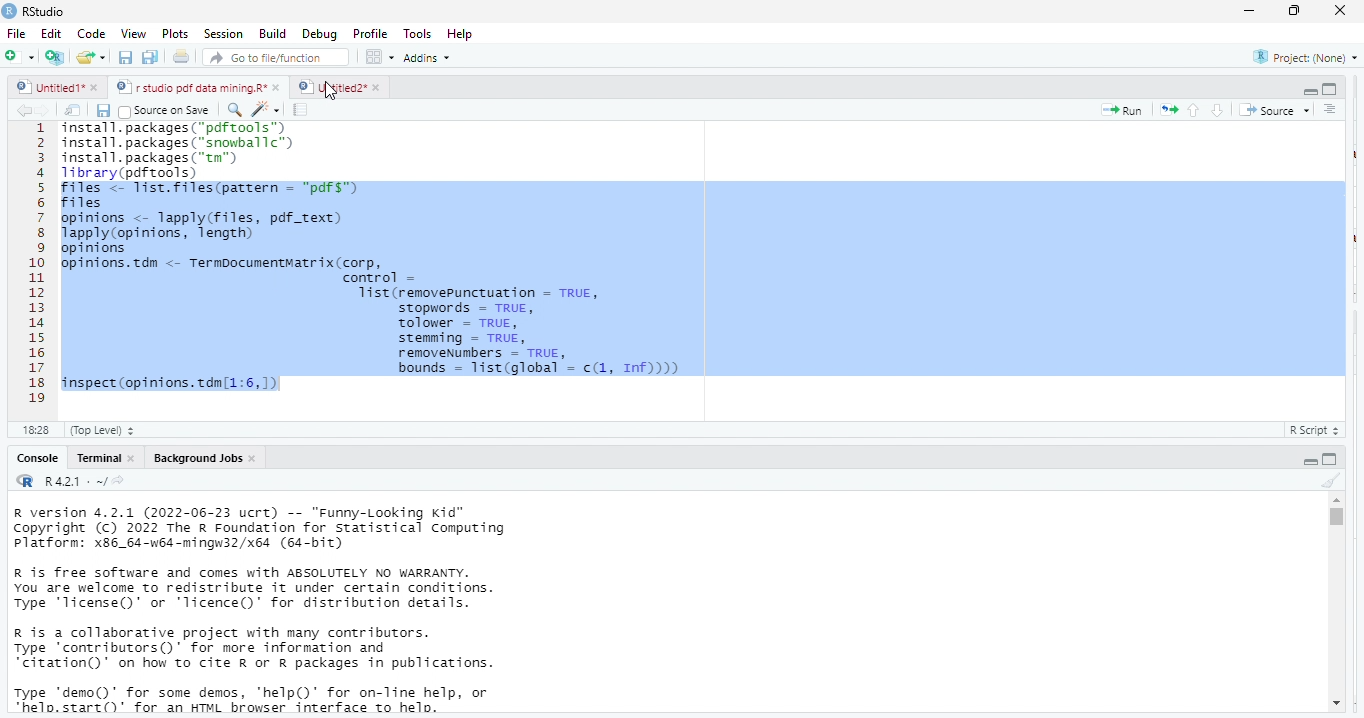 The width and height of the screenshot is (1364, 718). Describe the element at coordinates (108, 430) in the screenshot. I see `top level` at that location.